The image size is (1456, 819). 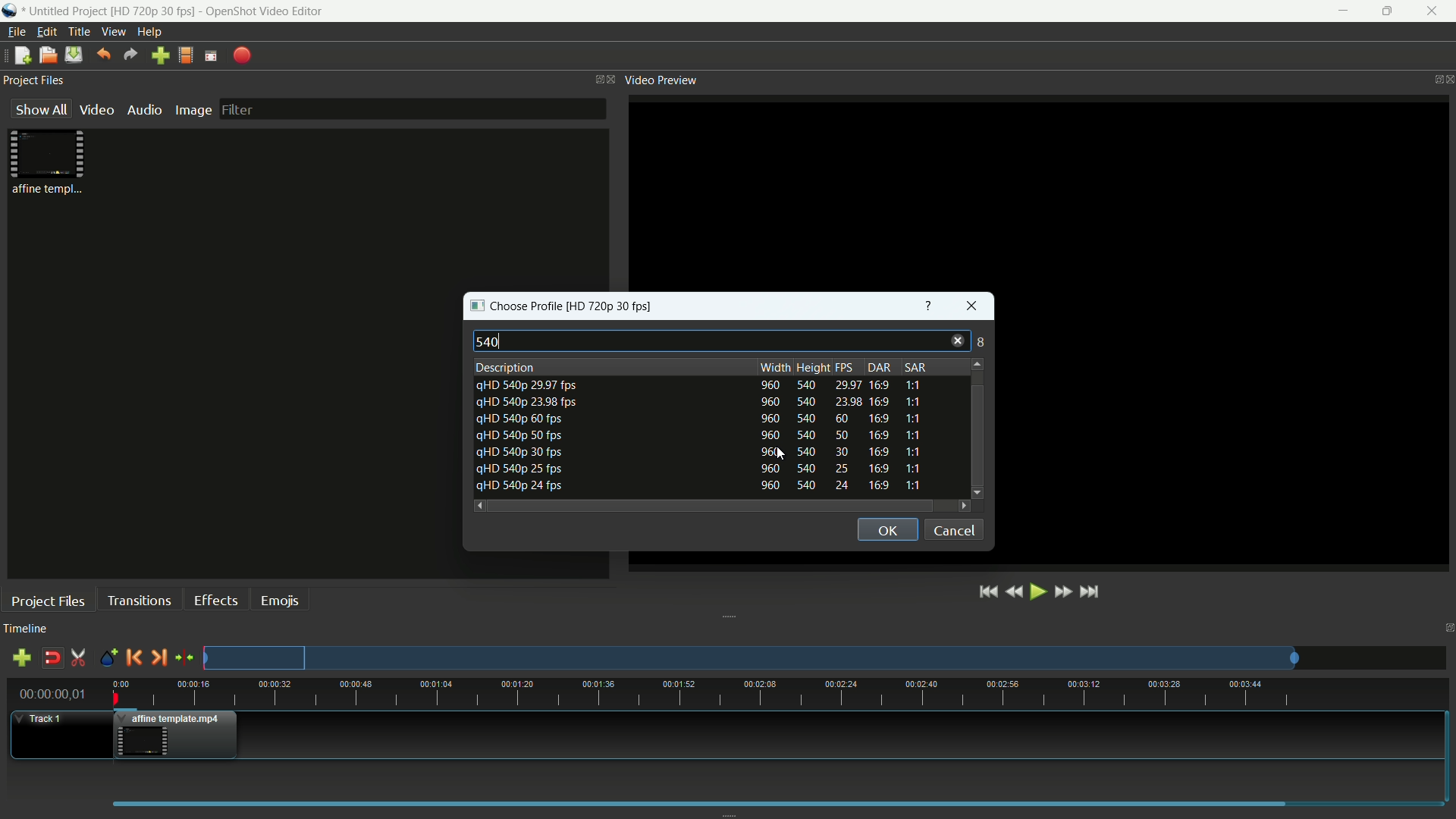 I want to click on scroll bar, so click(x=977, y=403).